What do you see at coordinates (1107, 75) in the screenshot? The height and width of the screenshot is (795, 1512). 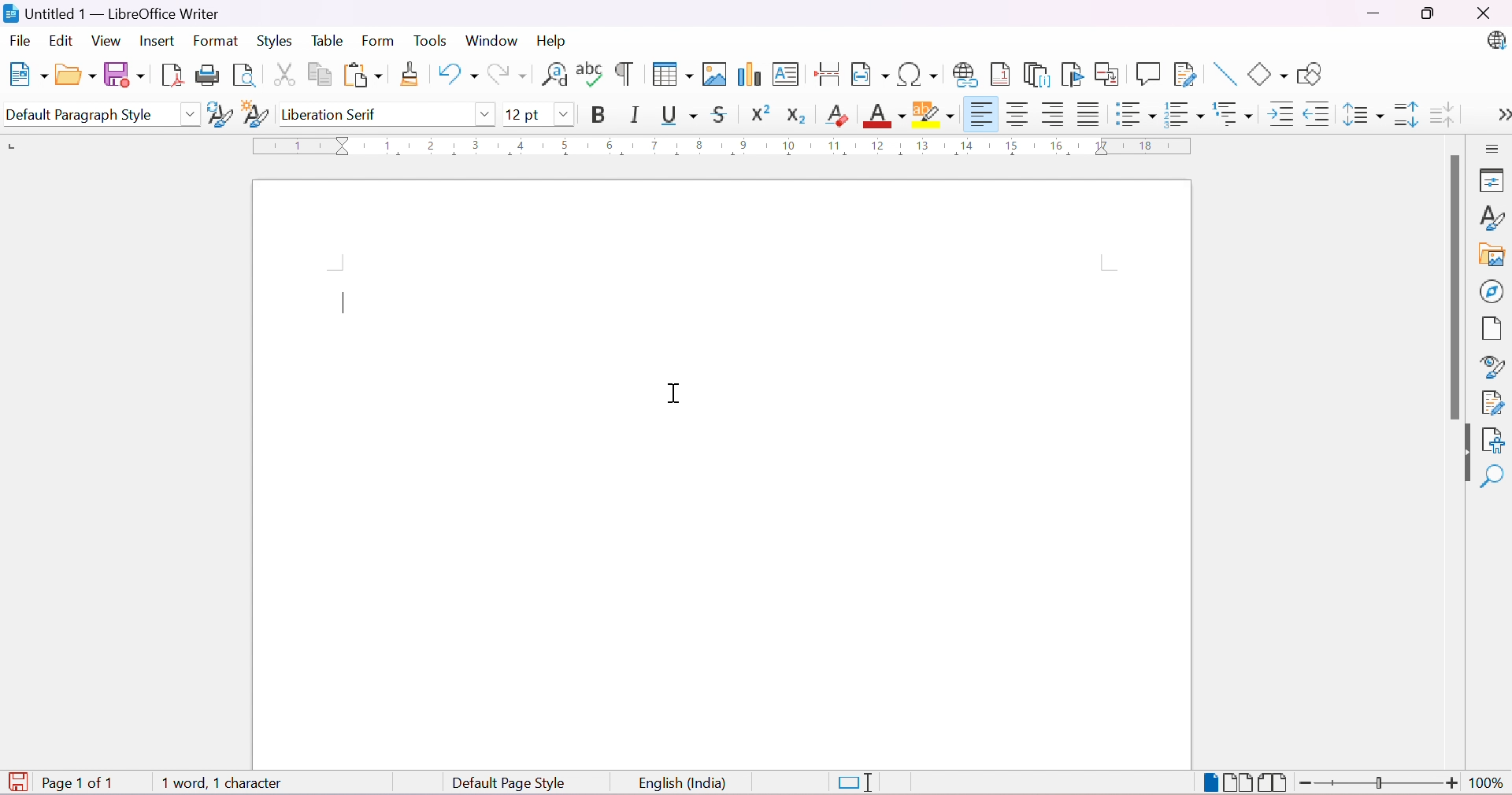 I see `Insert Cross-reference` at bounding box center [1107, 75].